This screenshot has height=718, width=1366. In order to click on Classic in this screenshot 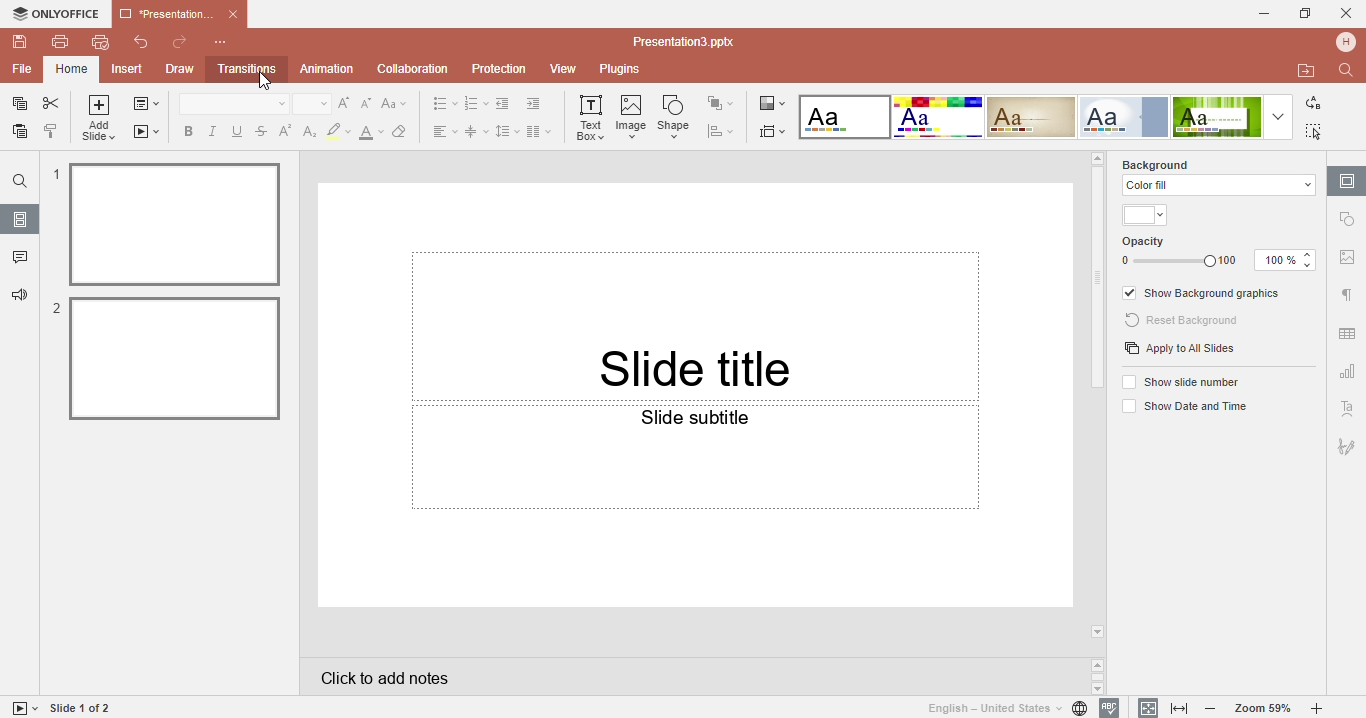, I will do `click(1032, 117)`.